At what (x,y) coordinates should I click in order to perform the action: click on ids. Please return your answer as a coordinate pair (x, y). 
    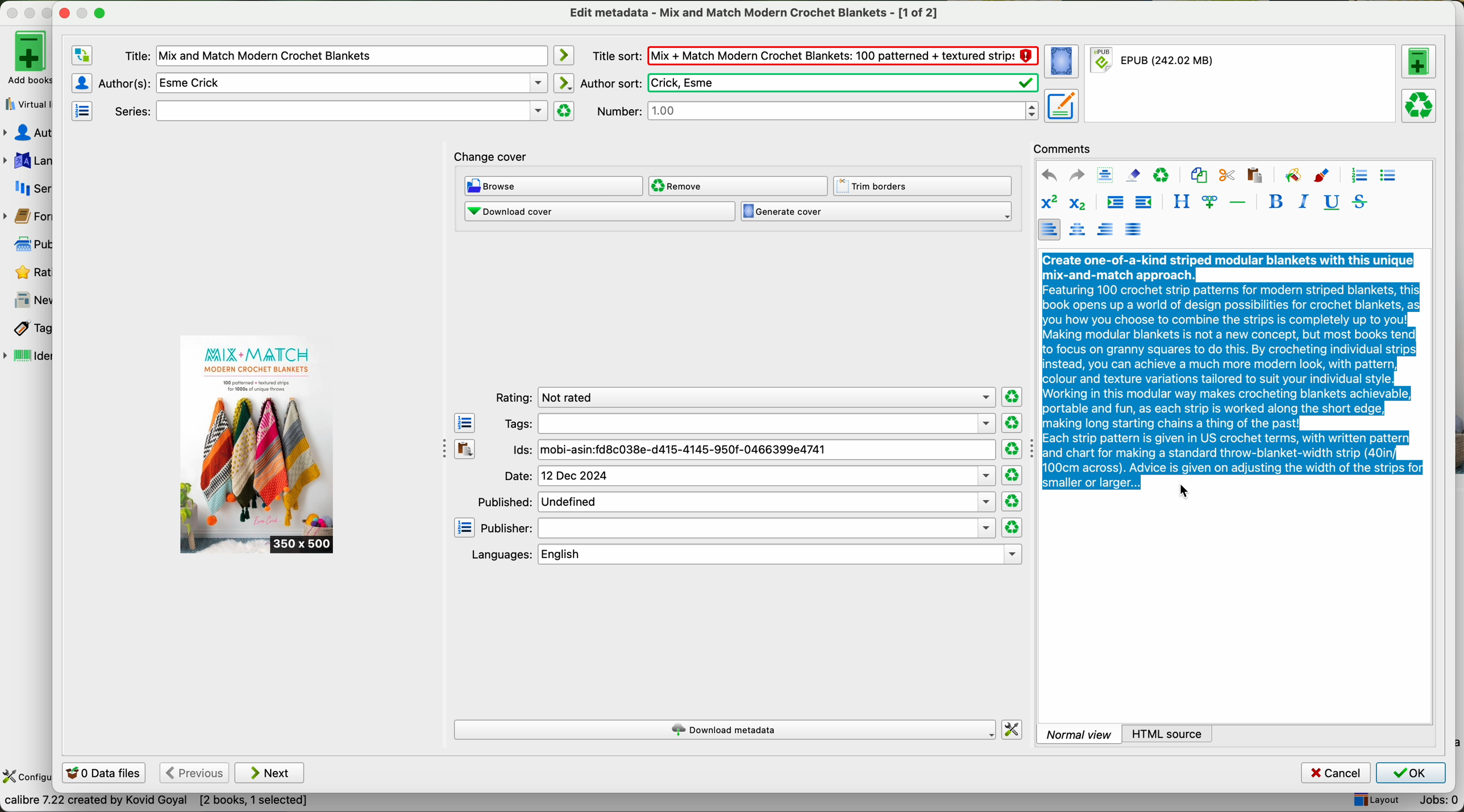
    Looking at the image, I should click on (753, 451).